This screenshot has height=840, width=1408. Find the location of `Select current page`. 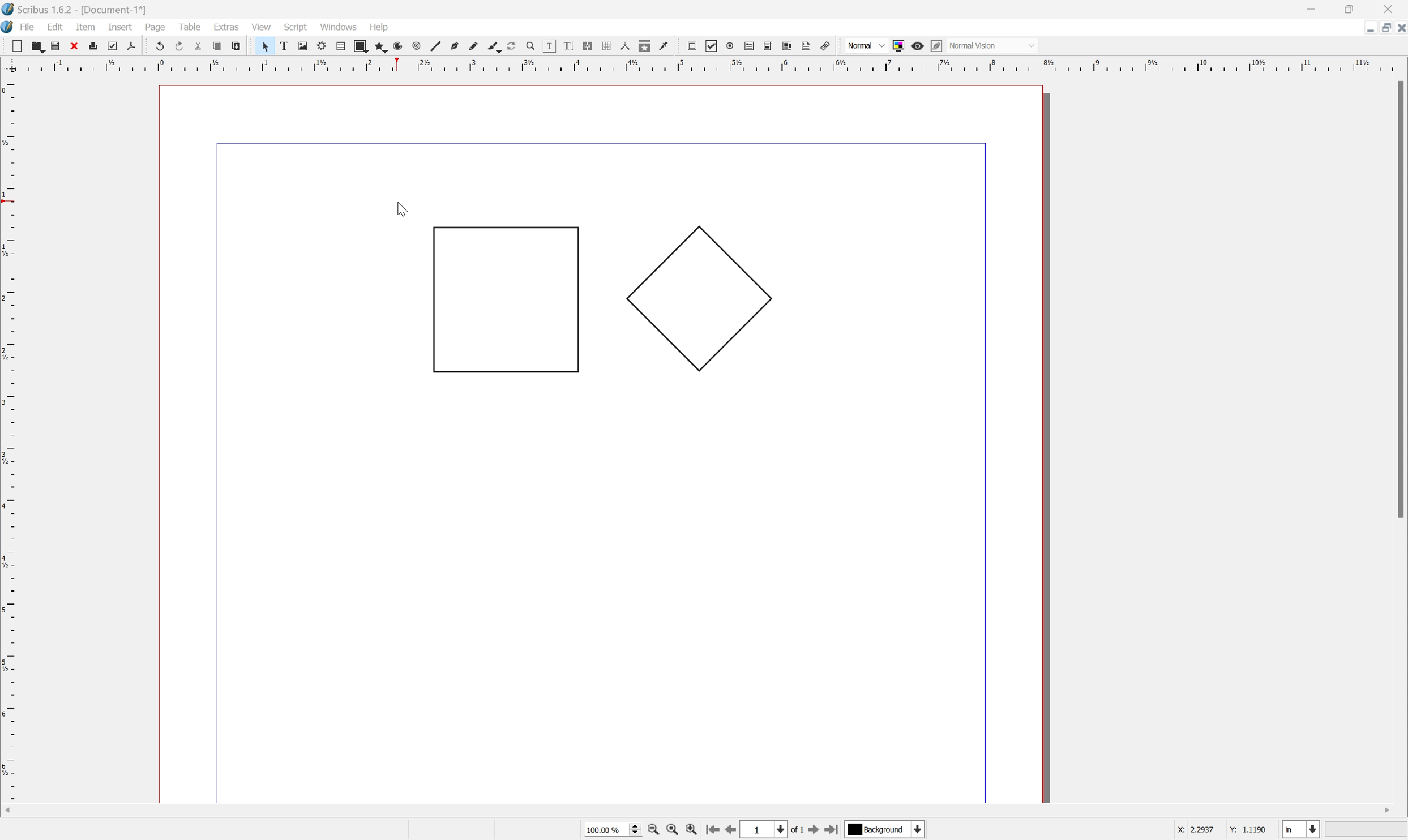

Select current page is located at coordinates (771, 831).